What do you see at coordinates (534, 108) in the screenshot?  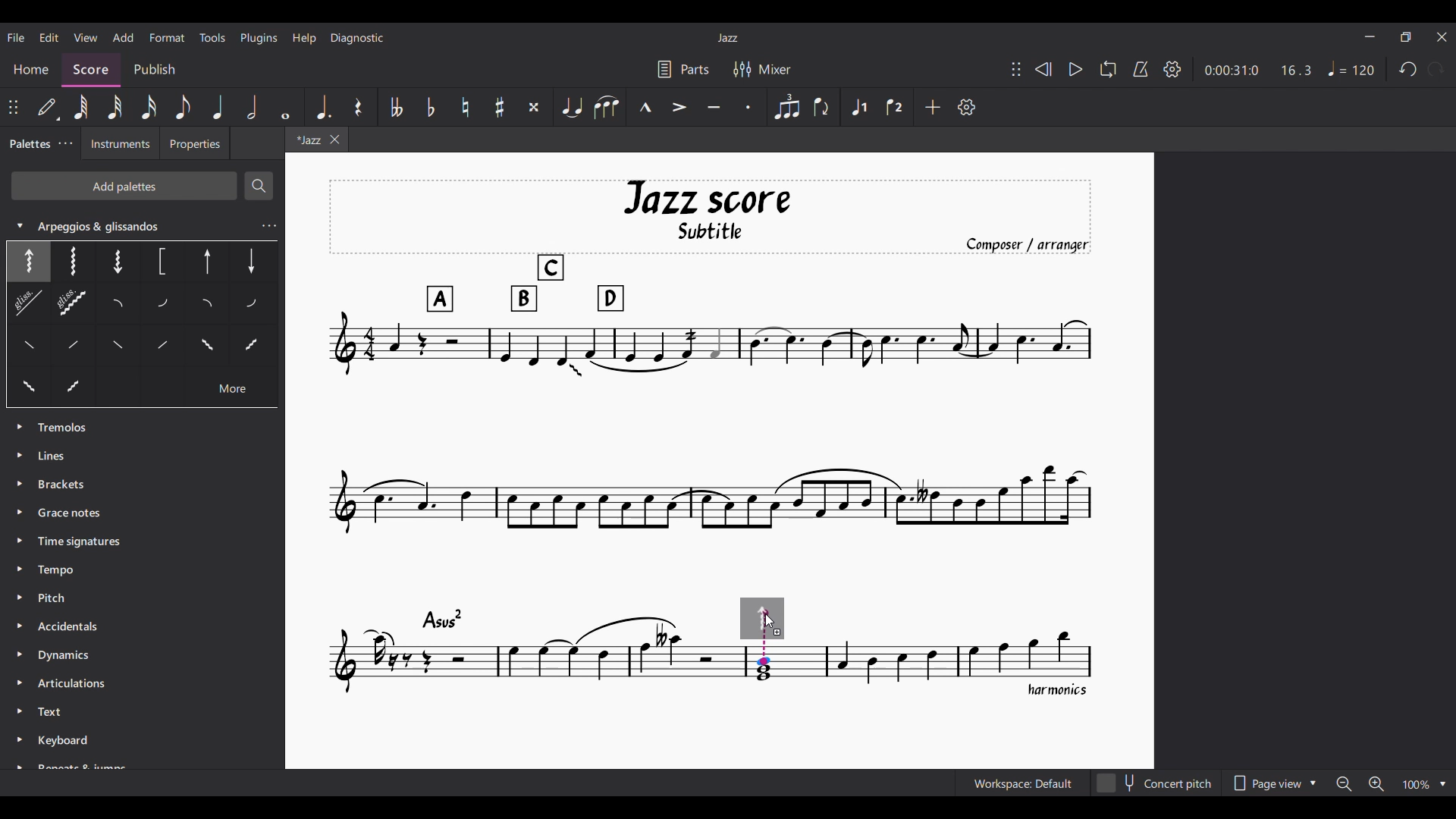 I see `Toggle double sharp` at bounding box center [534, 108].